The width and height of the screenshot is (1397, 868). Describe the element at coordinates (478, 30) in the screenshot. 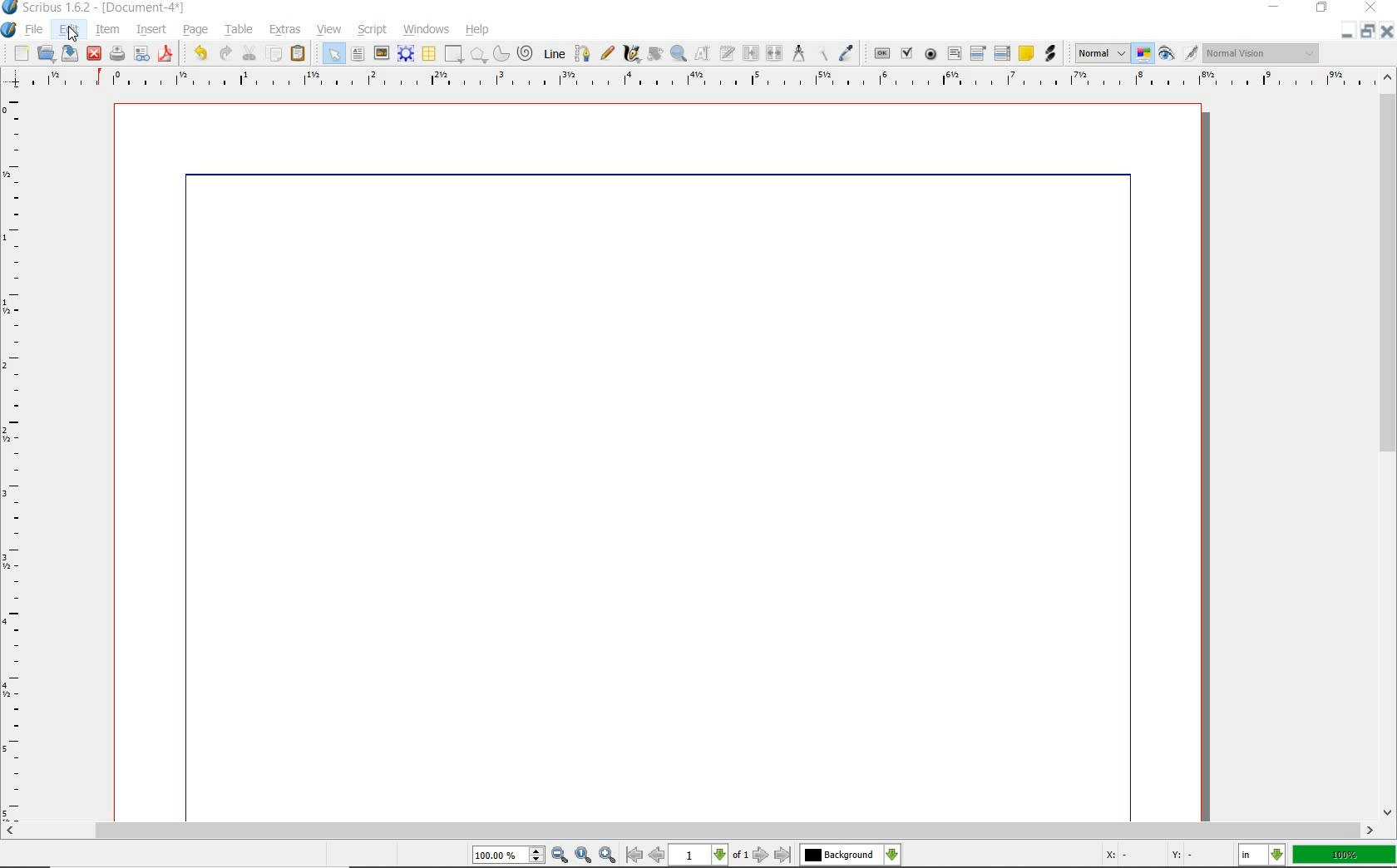

I see `help` at that location.